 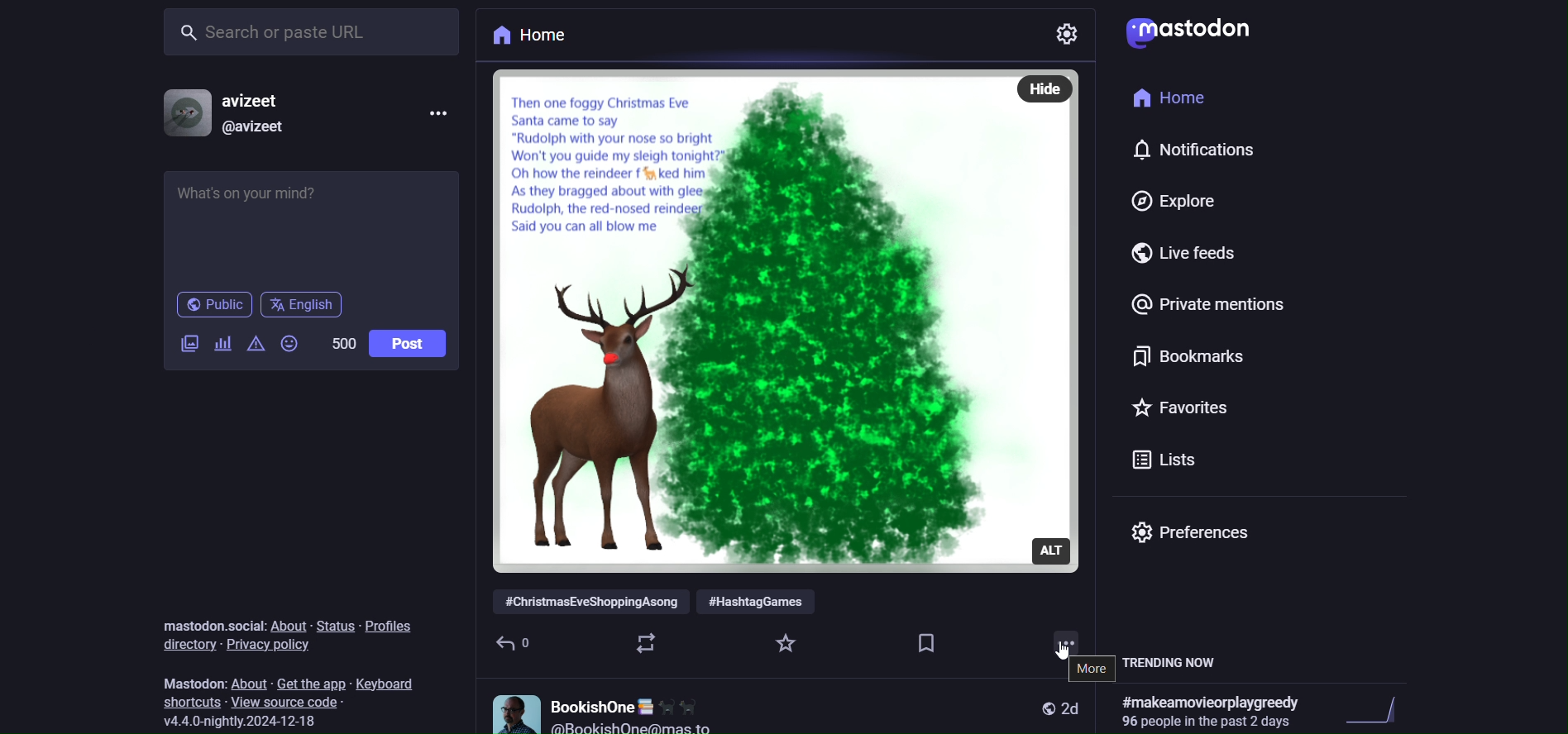 What do you see at coordinates (1210, 711) in the screenshot?
I see `#makeamovieorplaygreedy
Ply,` at bounding box center [1210, 711].